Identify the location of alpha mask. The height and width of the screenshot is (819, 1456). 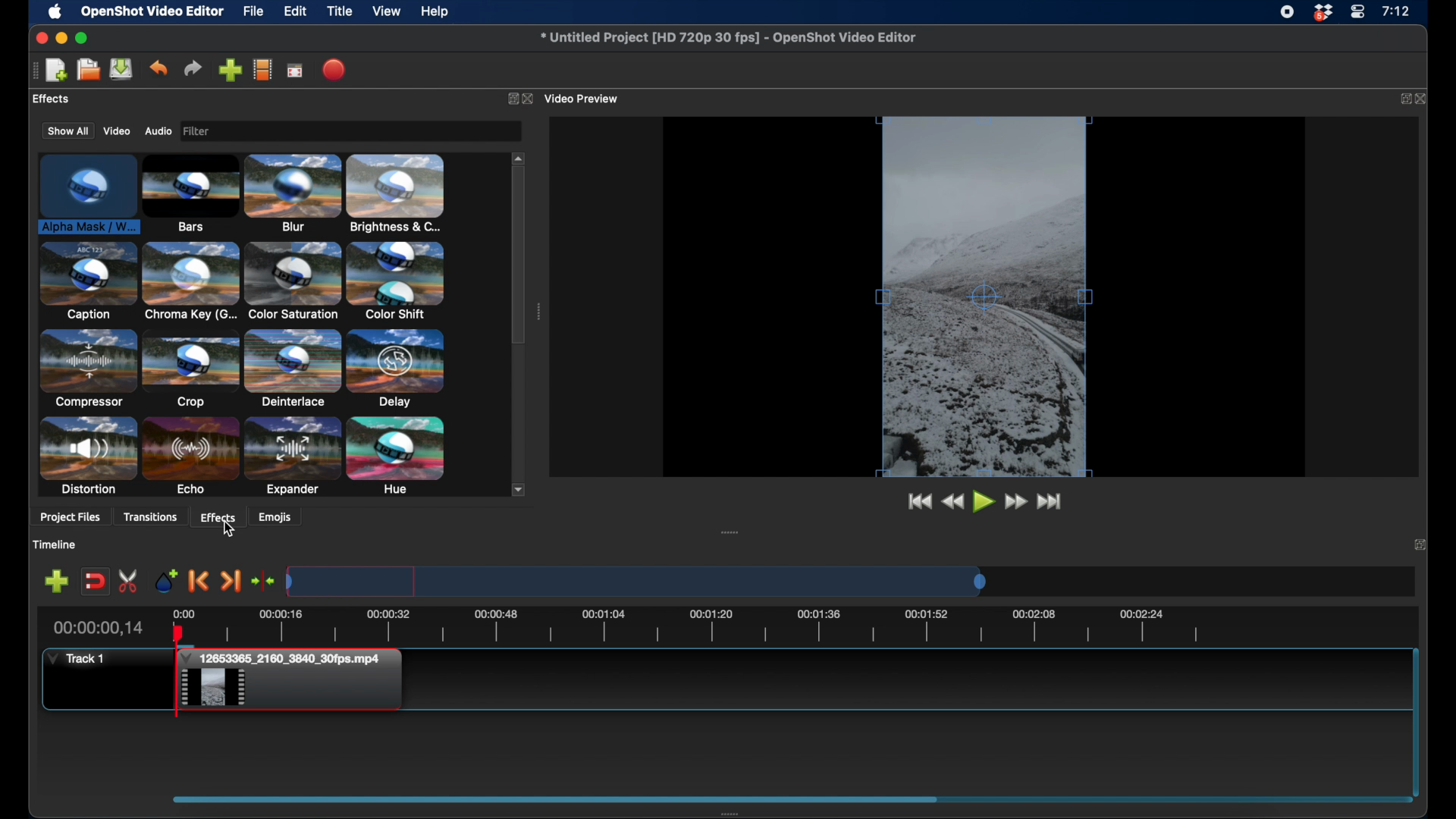
(86, 196).